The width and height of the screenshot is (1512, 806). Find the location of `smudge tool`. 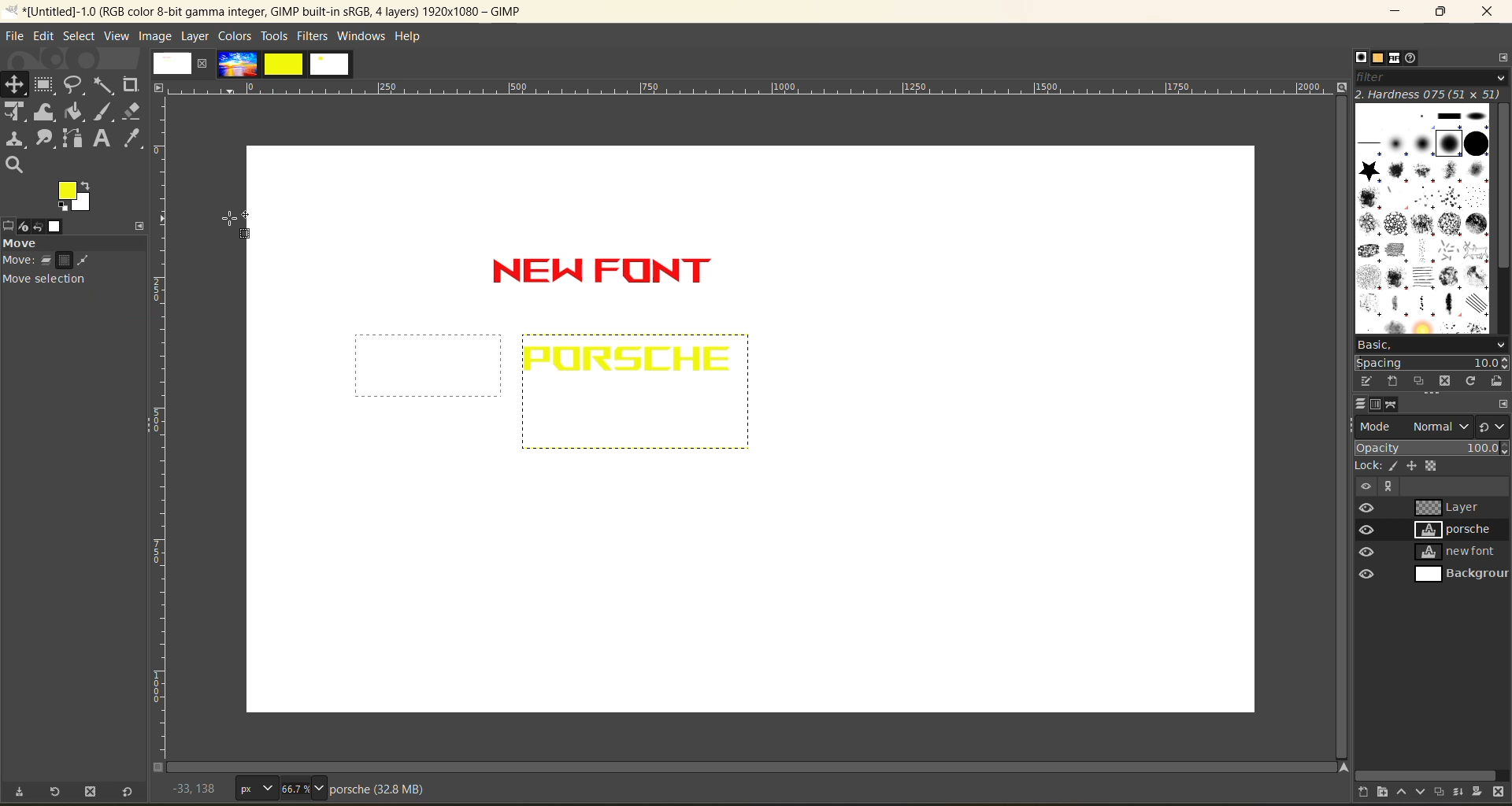

smudge tool is located at coordinates (46, 139).